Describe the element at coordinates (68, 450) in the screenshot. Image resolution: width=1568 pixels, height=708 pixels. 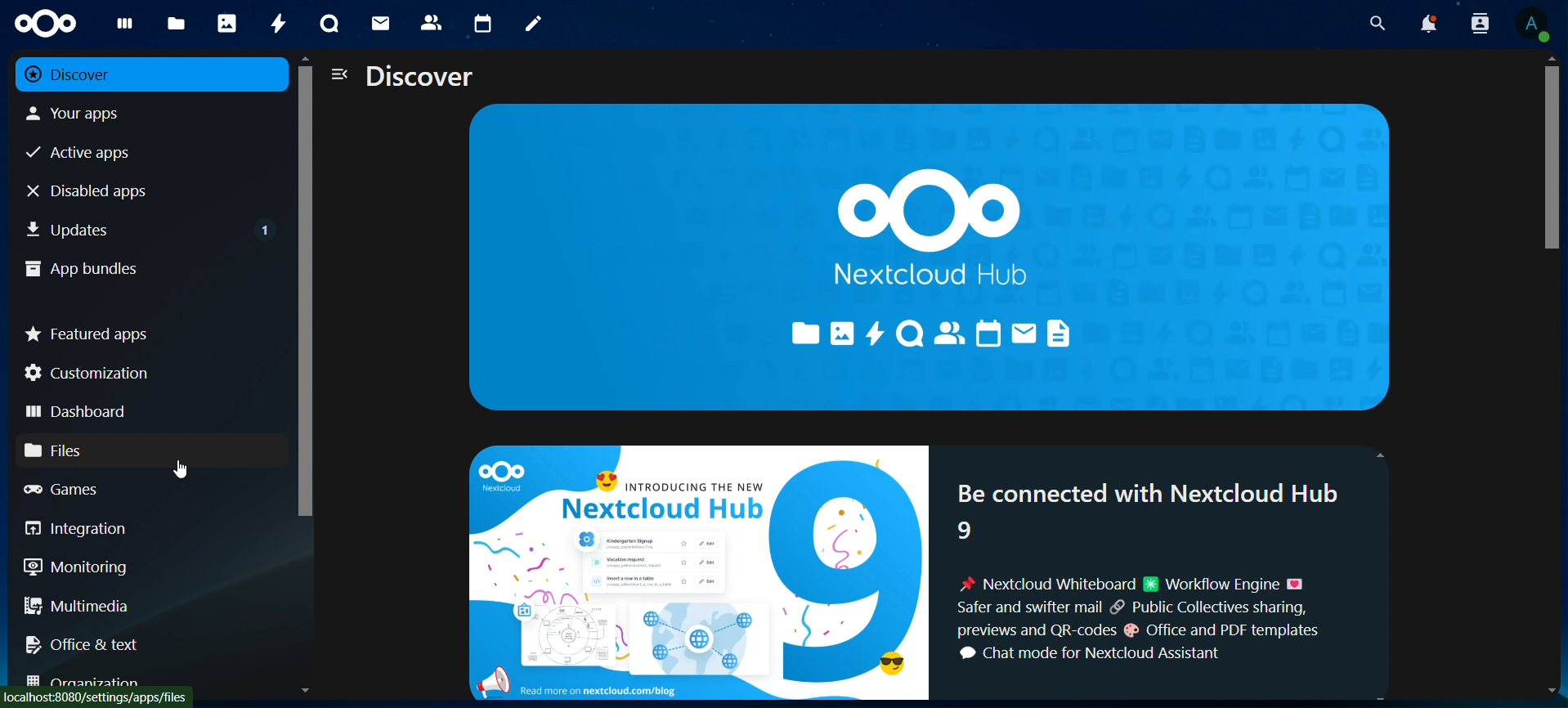
I see `files` at that location.